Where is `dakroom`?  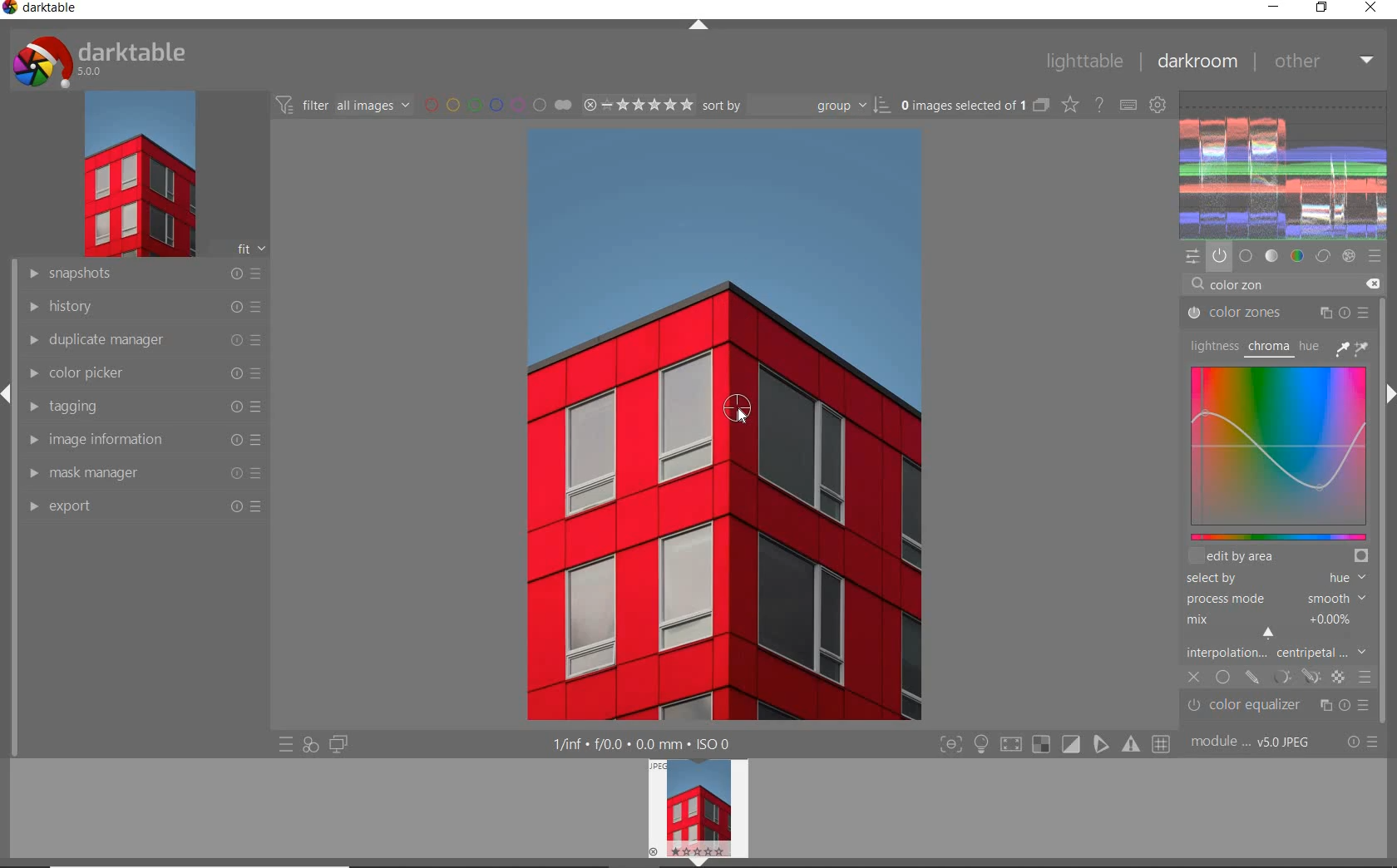
dakroom is located at coordinates (1196, 61).